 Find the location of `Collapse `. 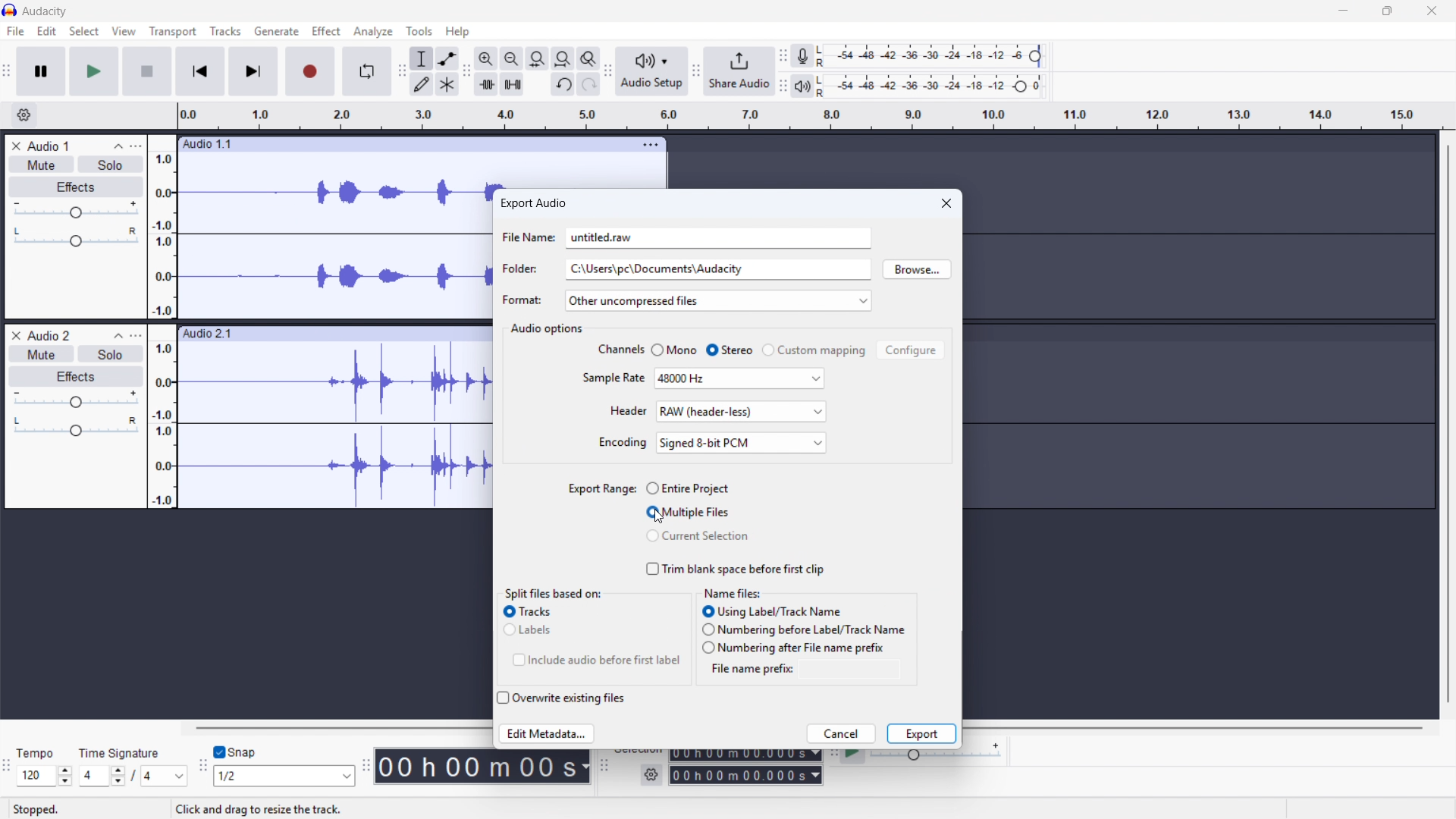

Collapse  is located at coordinates (118, 146).